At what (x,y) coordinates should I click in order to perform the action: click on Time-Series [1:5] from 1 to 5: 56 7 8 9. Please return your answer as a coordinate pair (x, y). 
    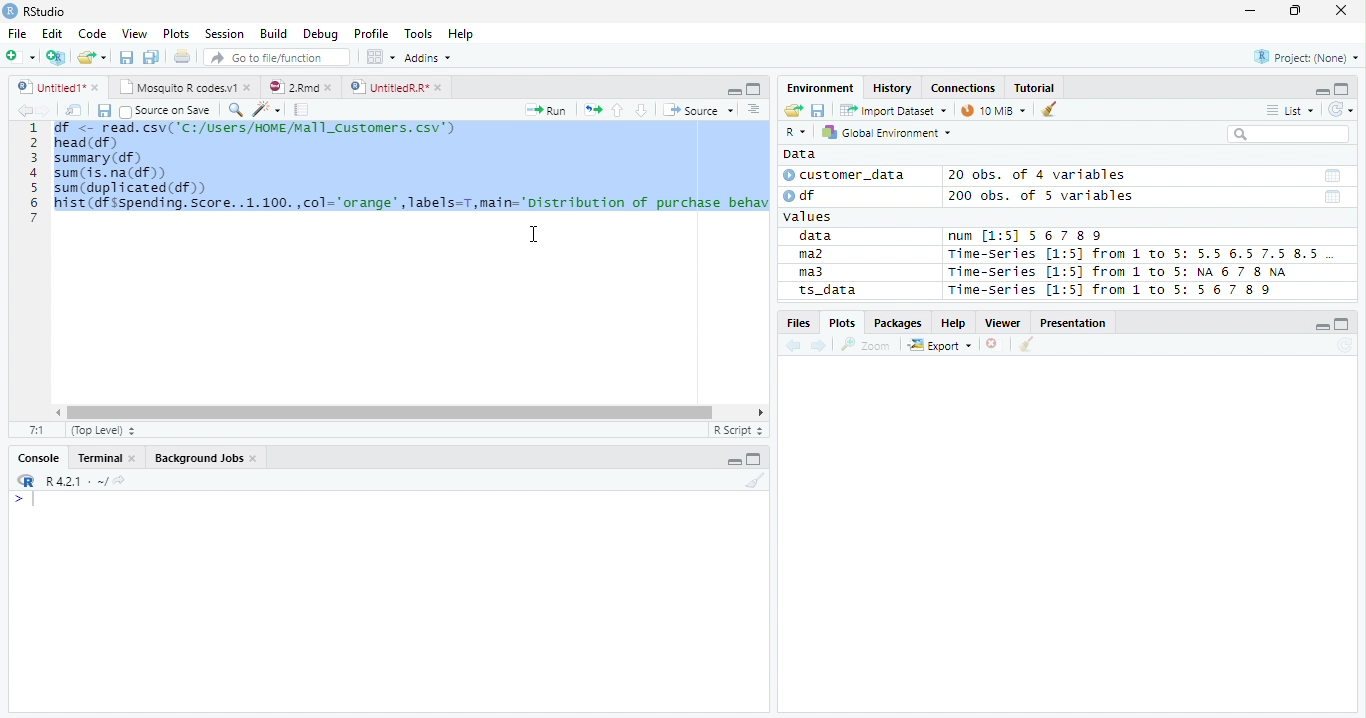
    Looking at the image, I should click on (1112, 290).